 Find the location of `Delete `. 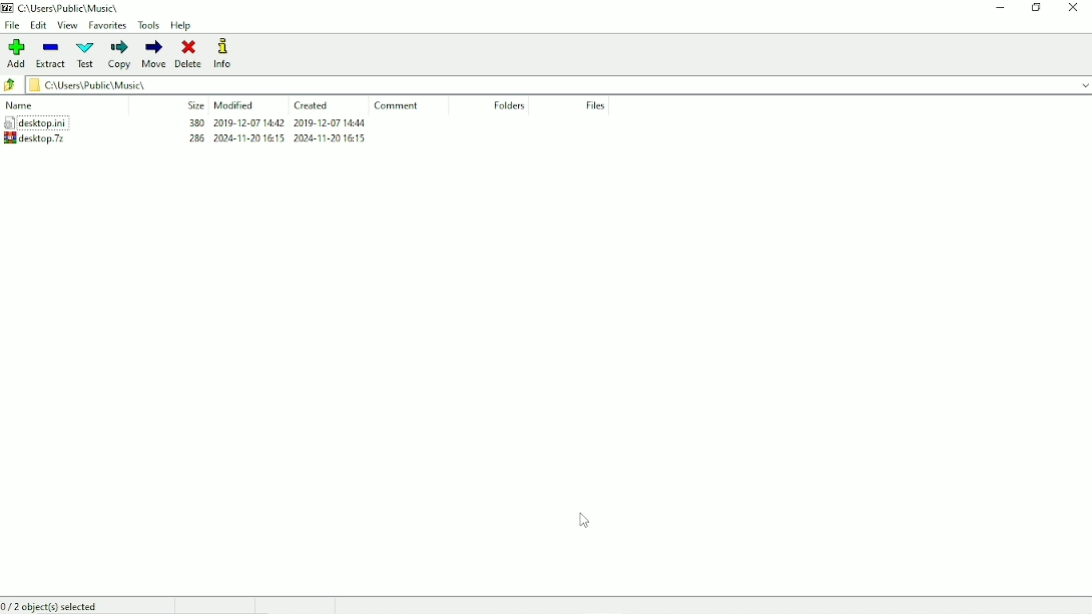

Delete  is located at coordinates (190, 54).